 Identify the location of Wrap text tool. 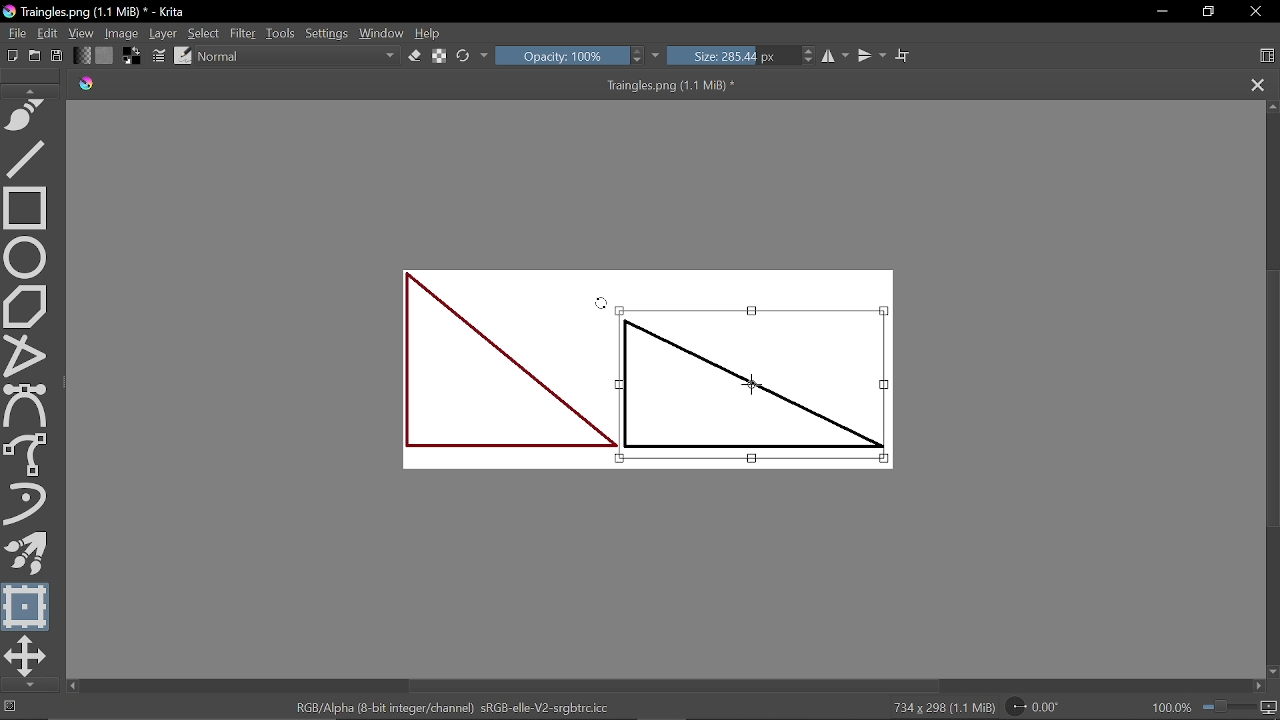
(904, 56).